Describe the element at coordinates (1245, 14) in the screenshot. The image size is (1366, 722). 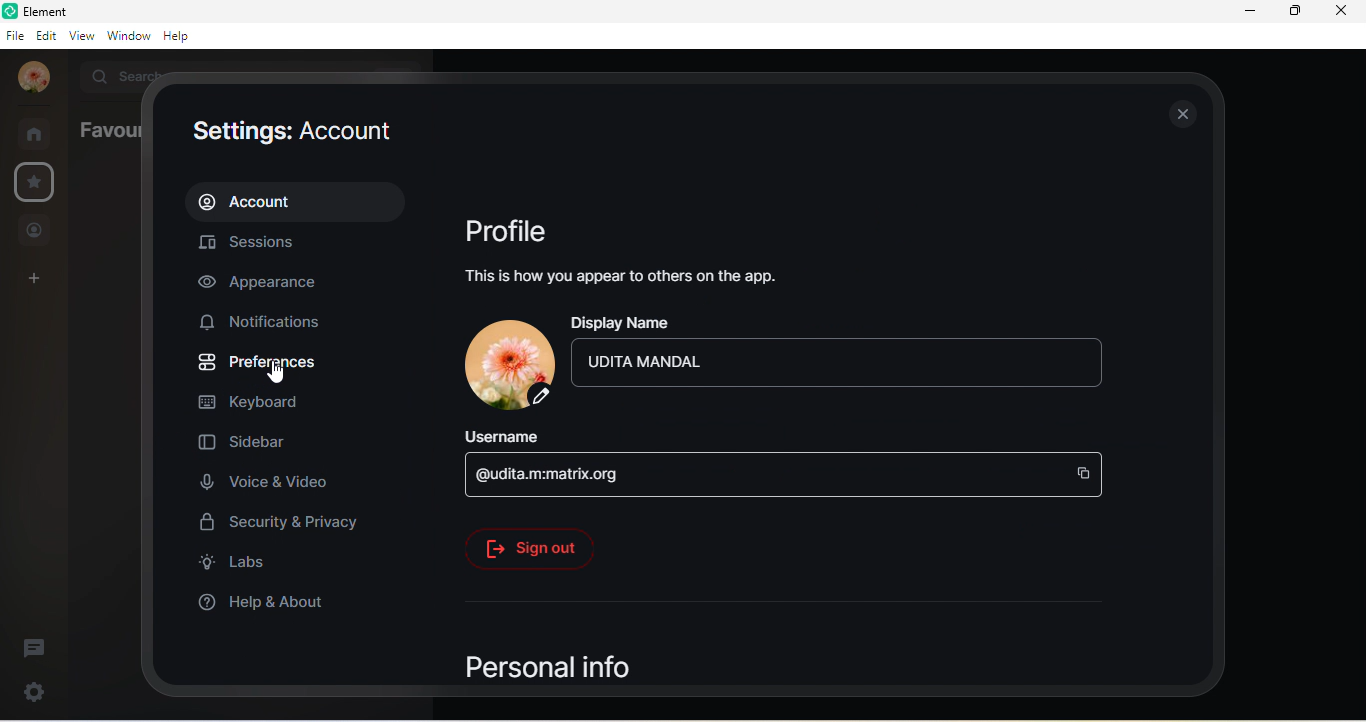
I see `minimize` at that location.